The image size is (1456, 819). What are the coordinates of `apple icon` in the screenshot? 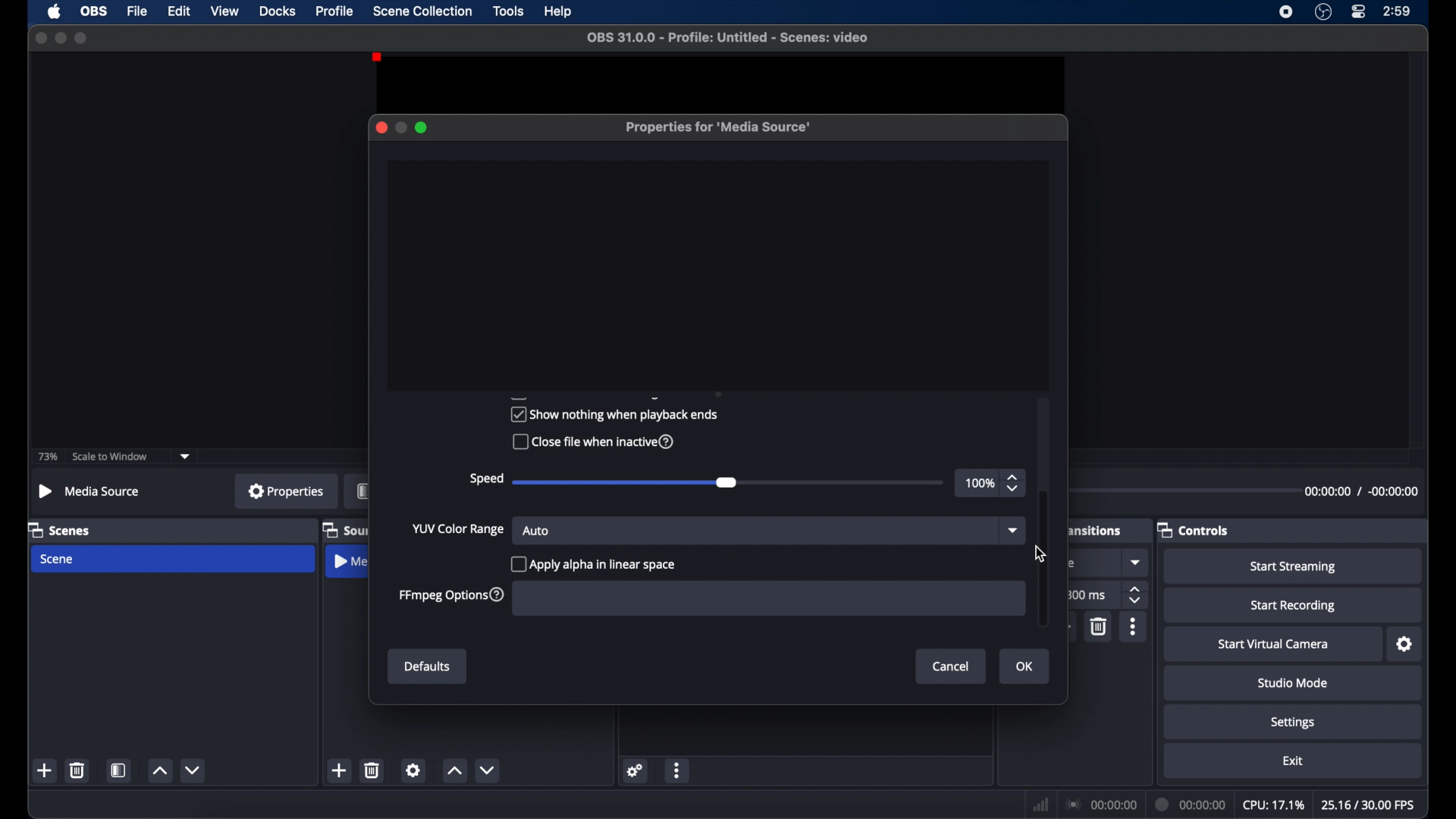 It's located at (55, 11).